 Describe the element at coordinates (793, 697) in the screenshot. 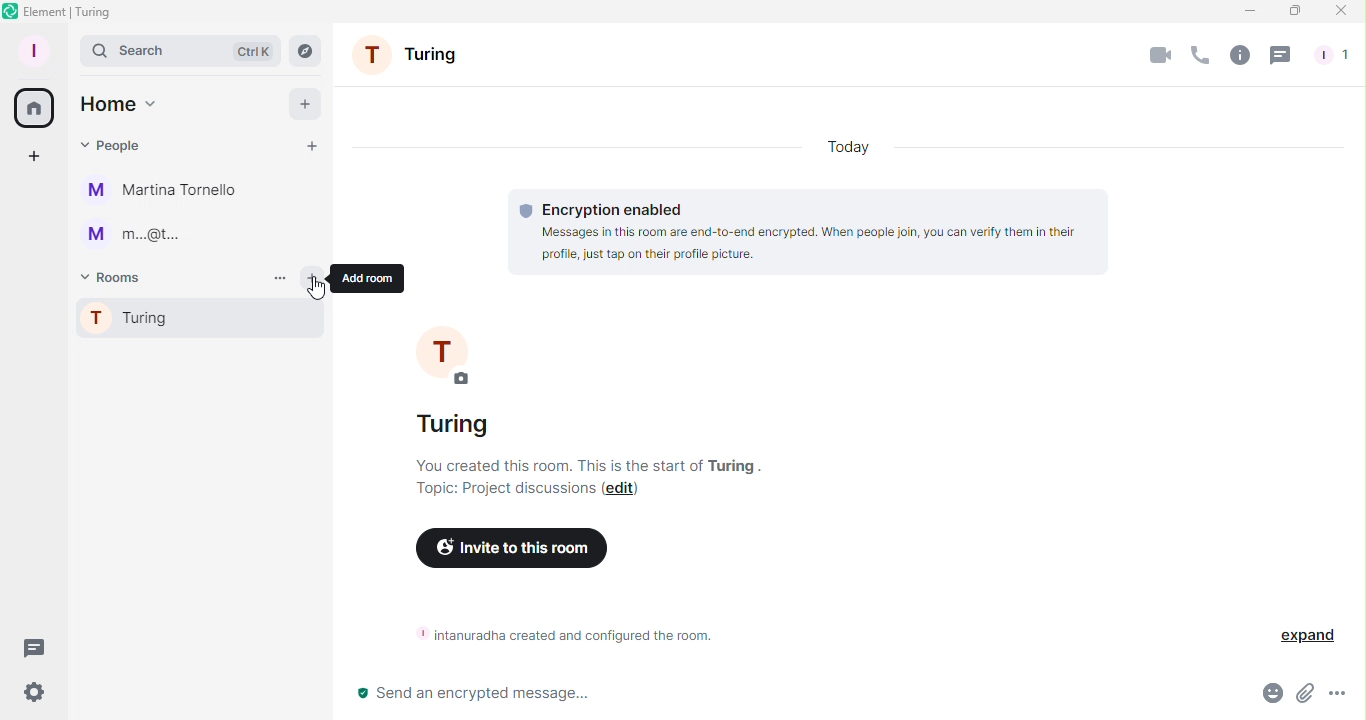

I see `Write message` at that location.